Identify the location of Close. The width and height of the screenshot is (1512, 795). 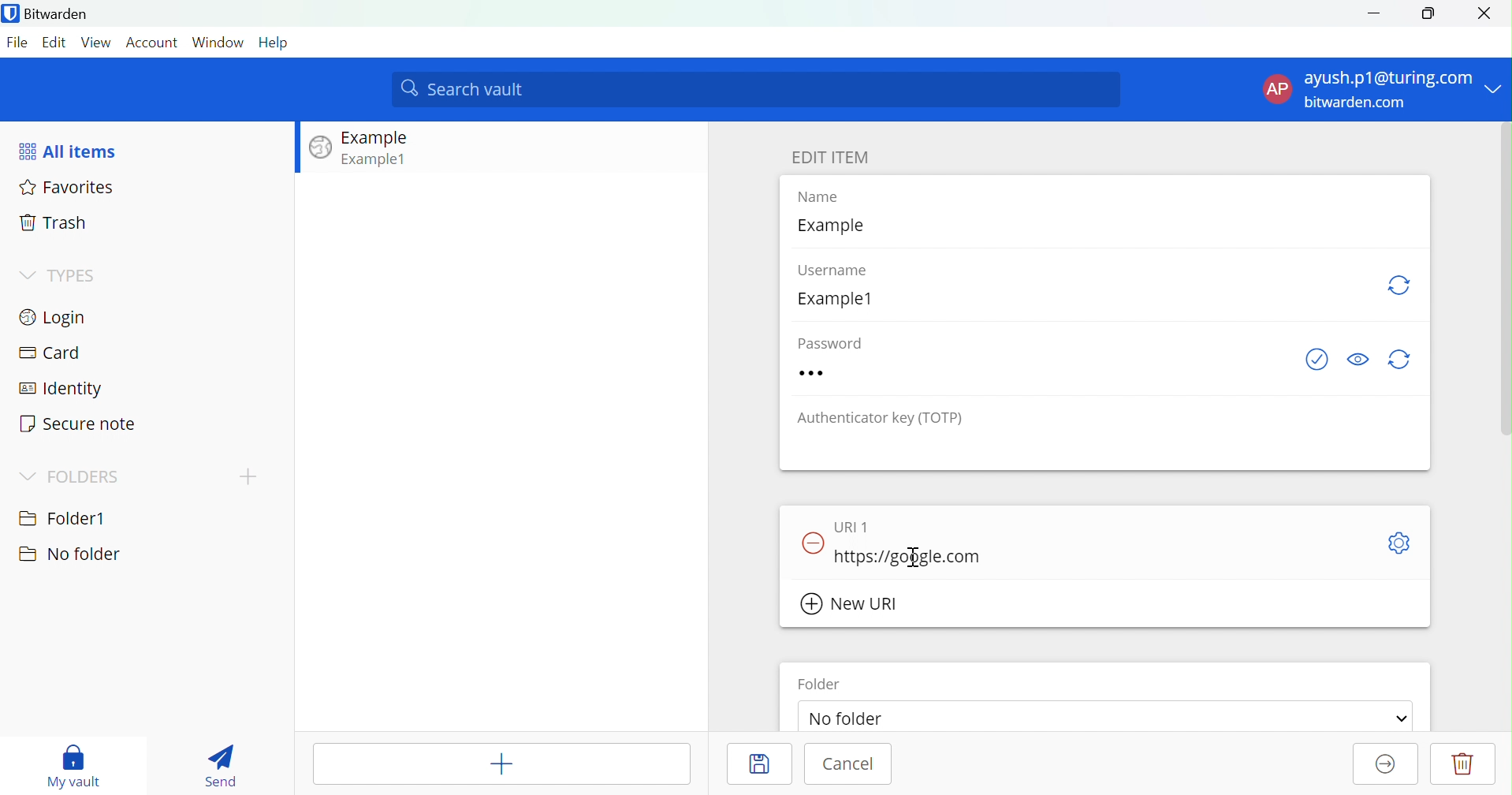
(1490, 13).